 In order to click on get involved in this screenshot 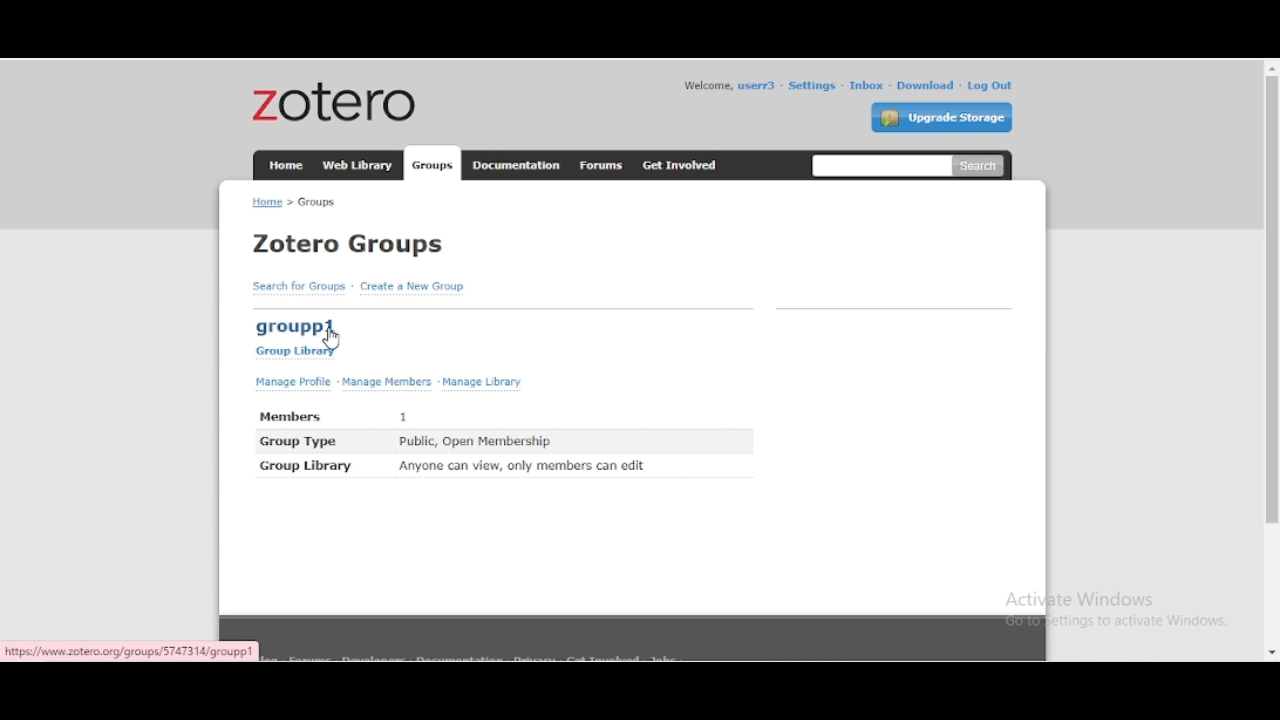, I will do `click(681, 165)`.